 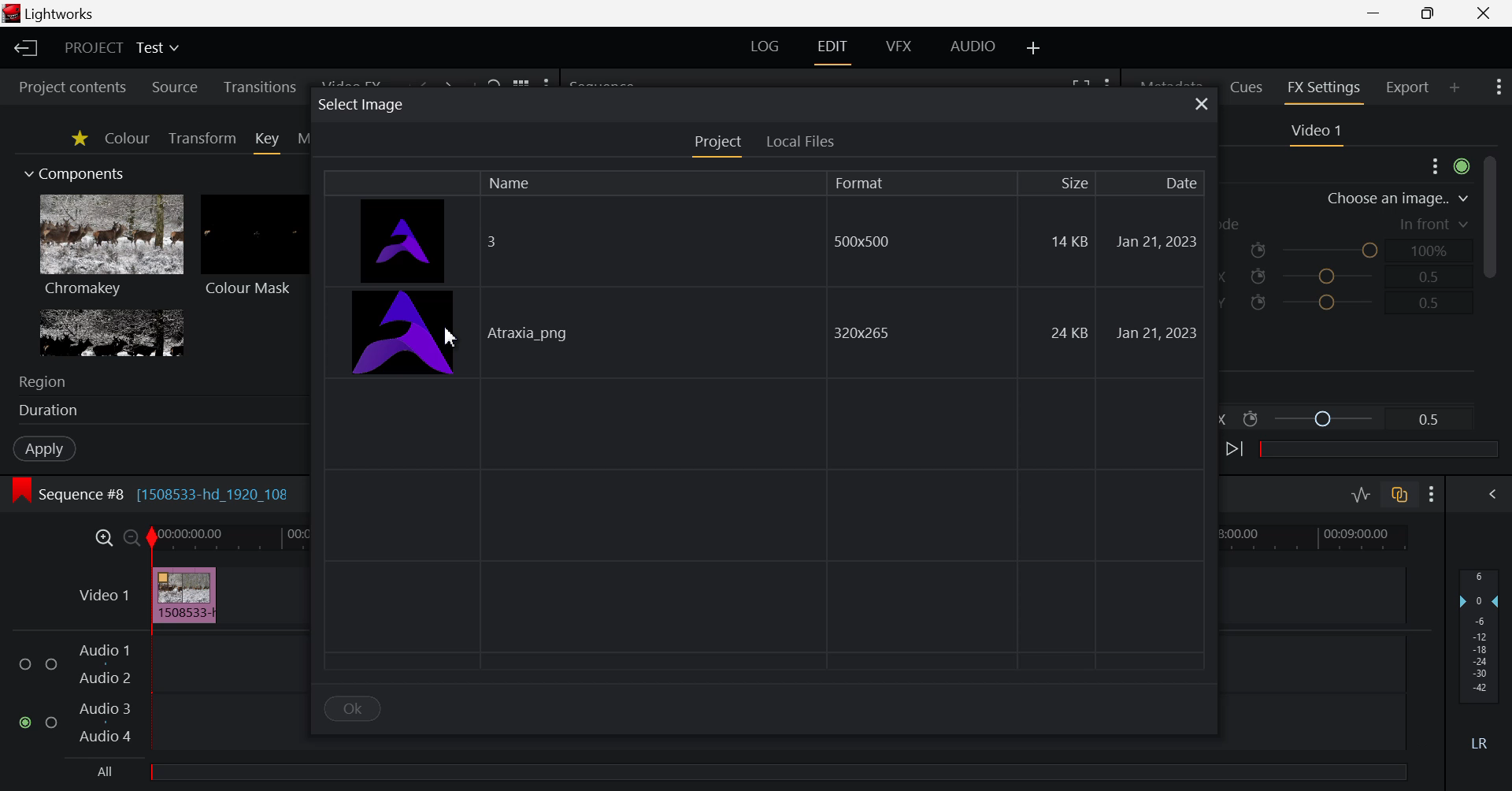 I want to click on Project Title, so click(x=121, y=47).